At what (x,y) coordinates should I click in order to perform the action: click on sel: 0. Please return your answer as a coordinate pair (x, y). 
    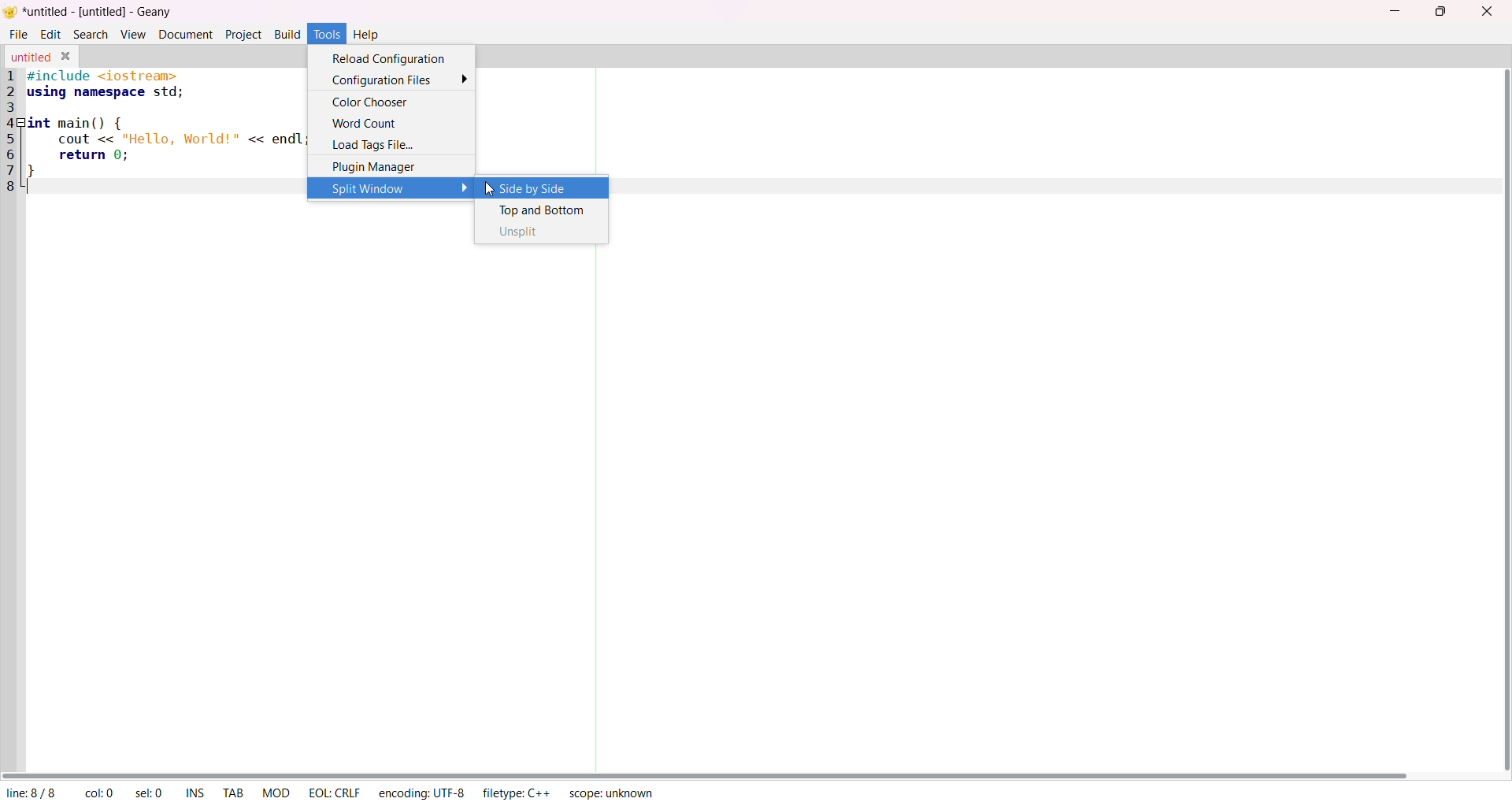
    Looking at the image, I should click on (155, 793).